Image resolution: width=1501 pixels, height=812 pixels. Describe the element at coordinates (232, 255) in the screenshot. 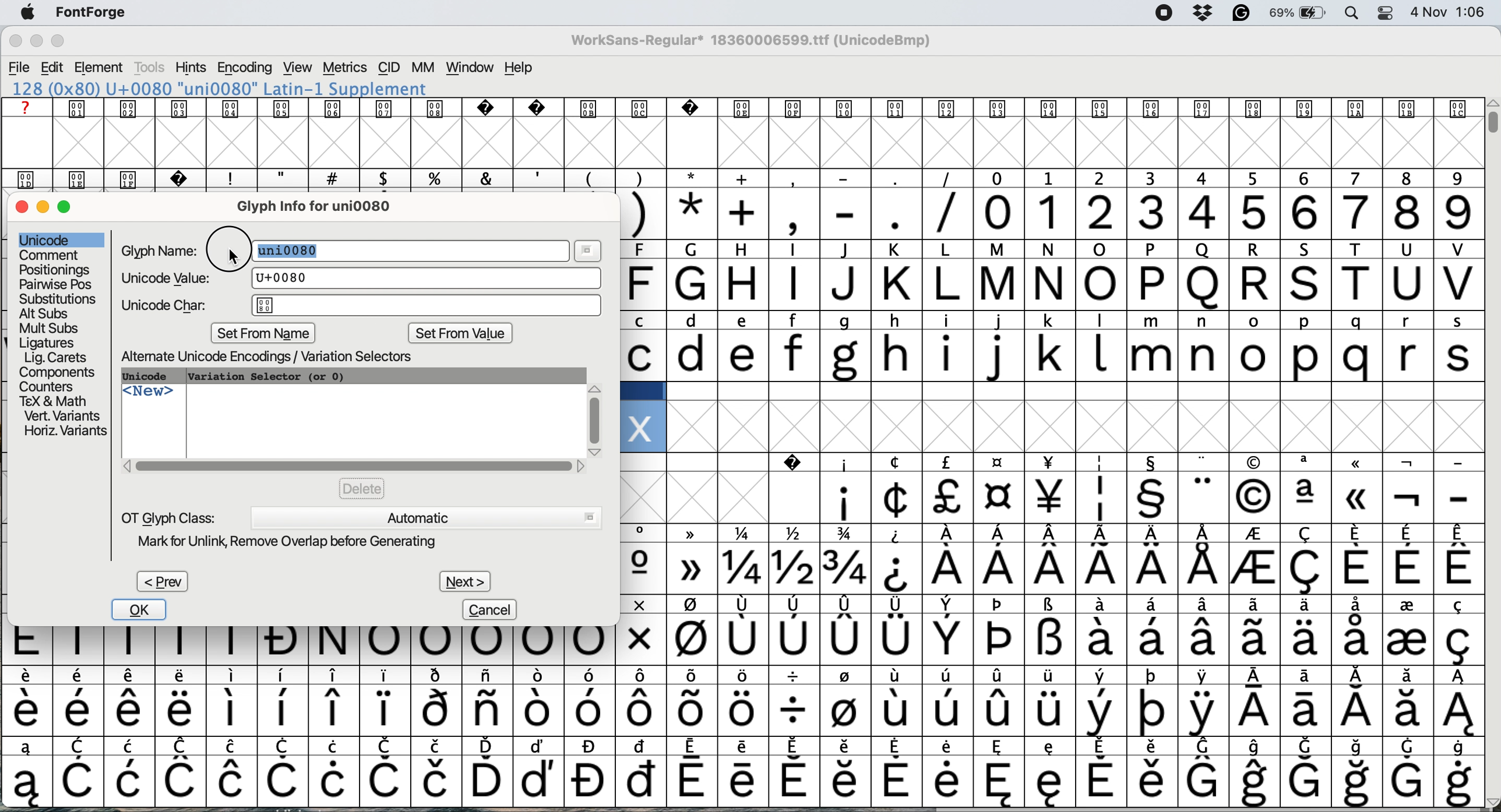

I see `cursor` at that location.